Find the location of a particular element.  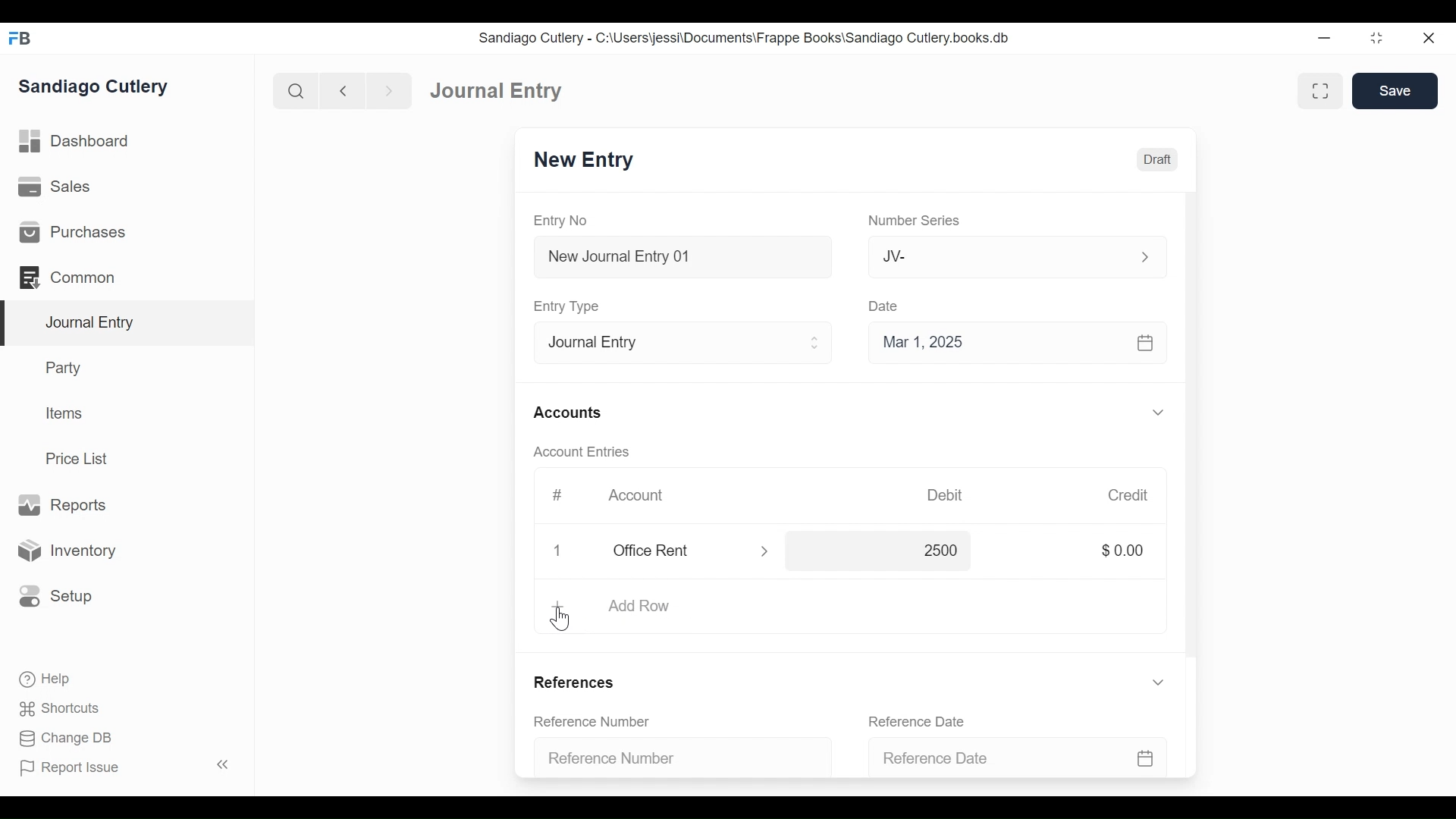

minimize is located at coordinates (1326, 35).